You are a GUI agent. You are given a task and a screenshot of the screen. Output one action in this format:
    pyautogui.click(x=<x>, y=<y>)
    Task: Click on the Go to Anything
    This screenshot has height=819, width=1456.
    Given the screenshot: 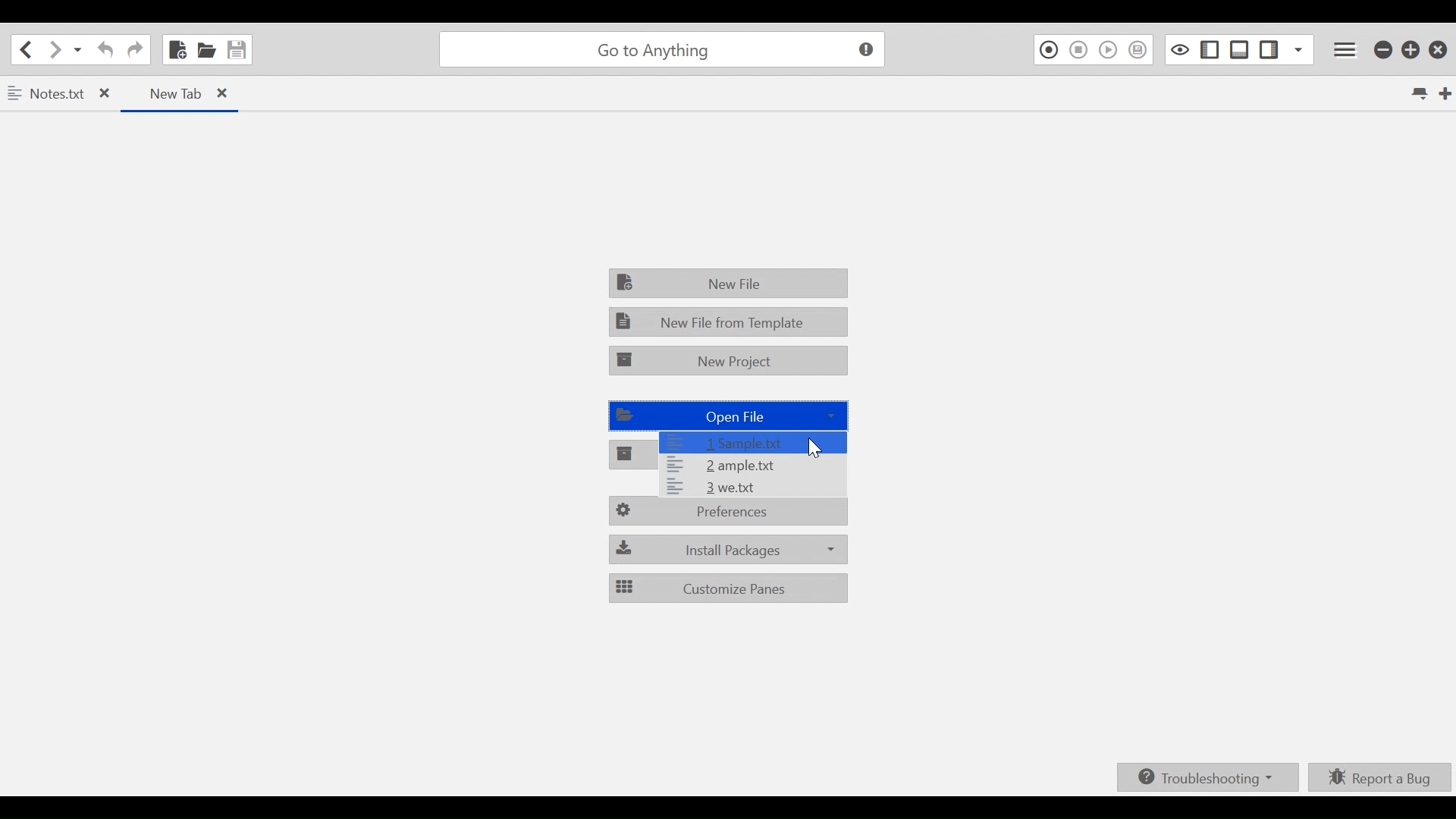 What is the action you would take?
    pyautogui.click(x=666, y=50)
    